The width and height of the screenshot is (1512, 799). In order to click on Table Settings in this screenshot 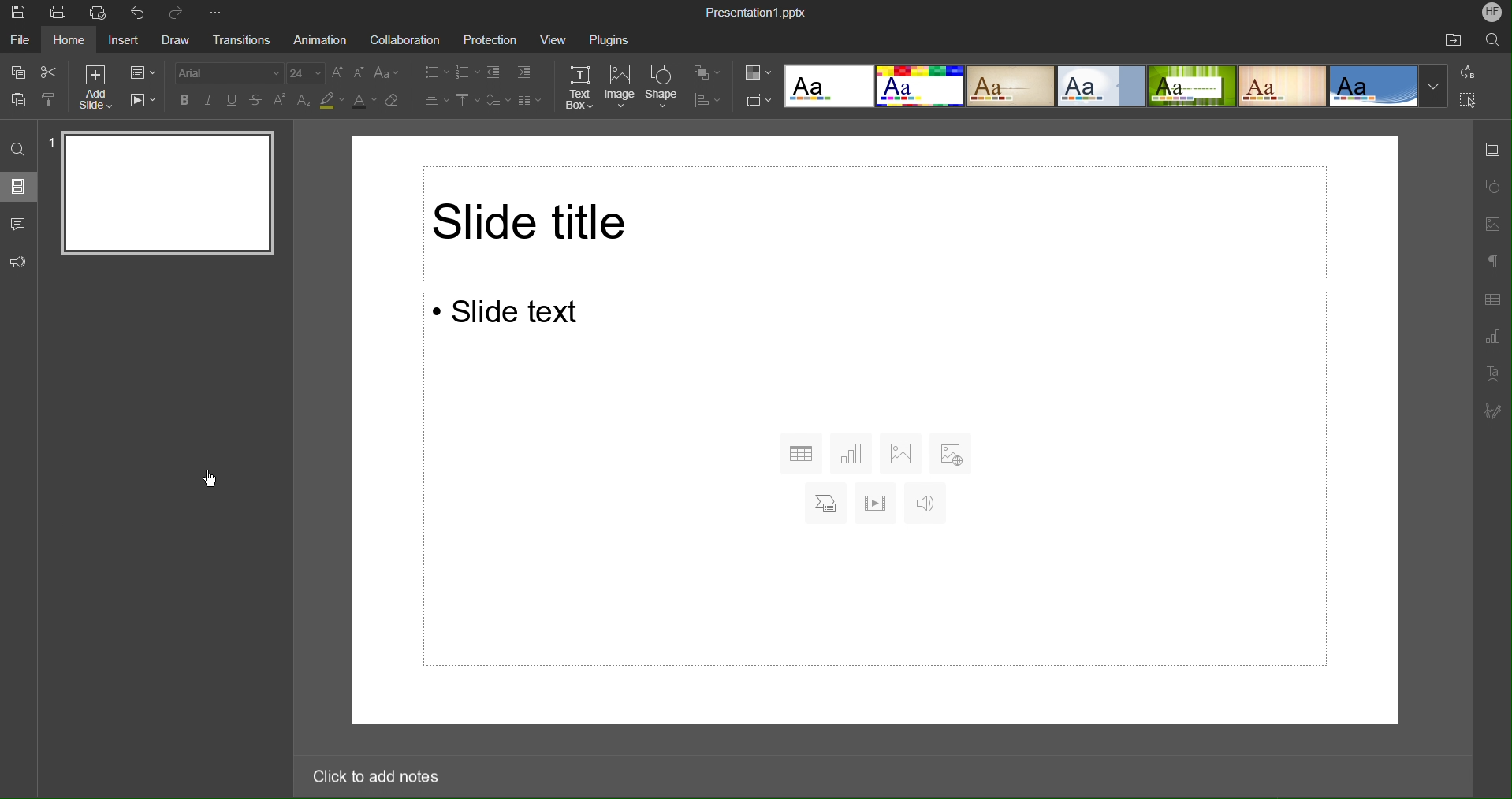, I will do `click(1492, 299)`.